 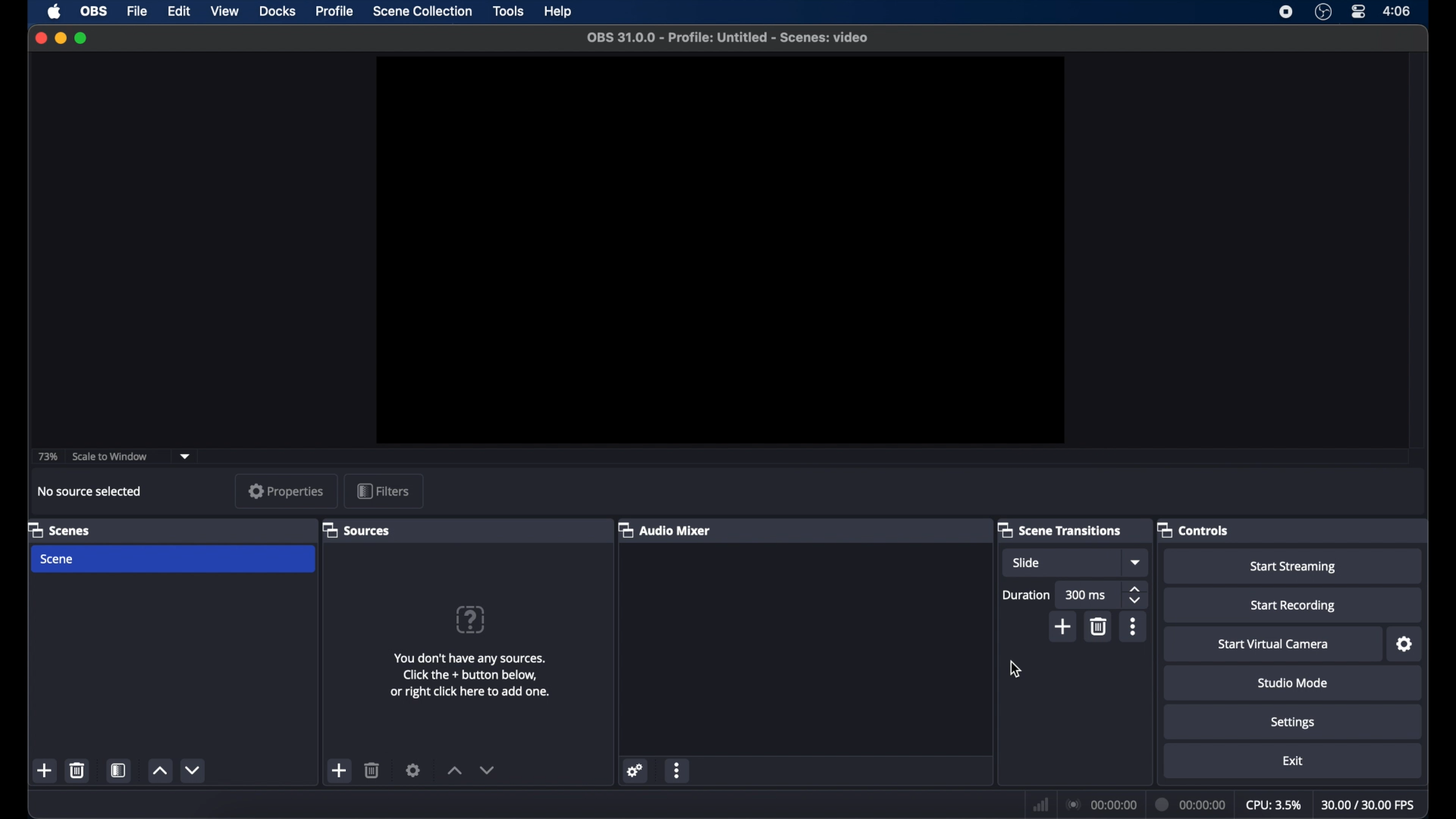 I want to click on time, so click(x=1398, y=11).